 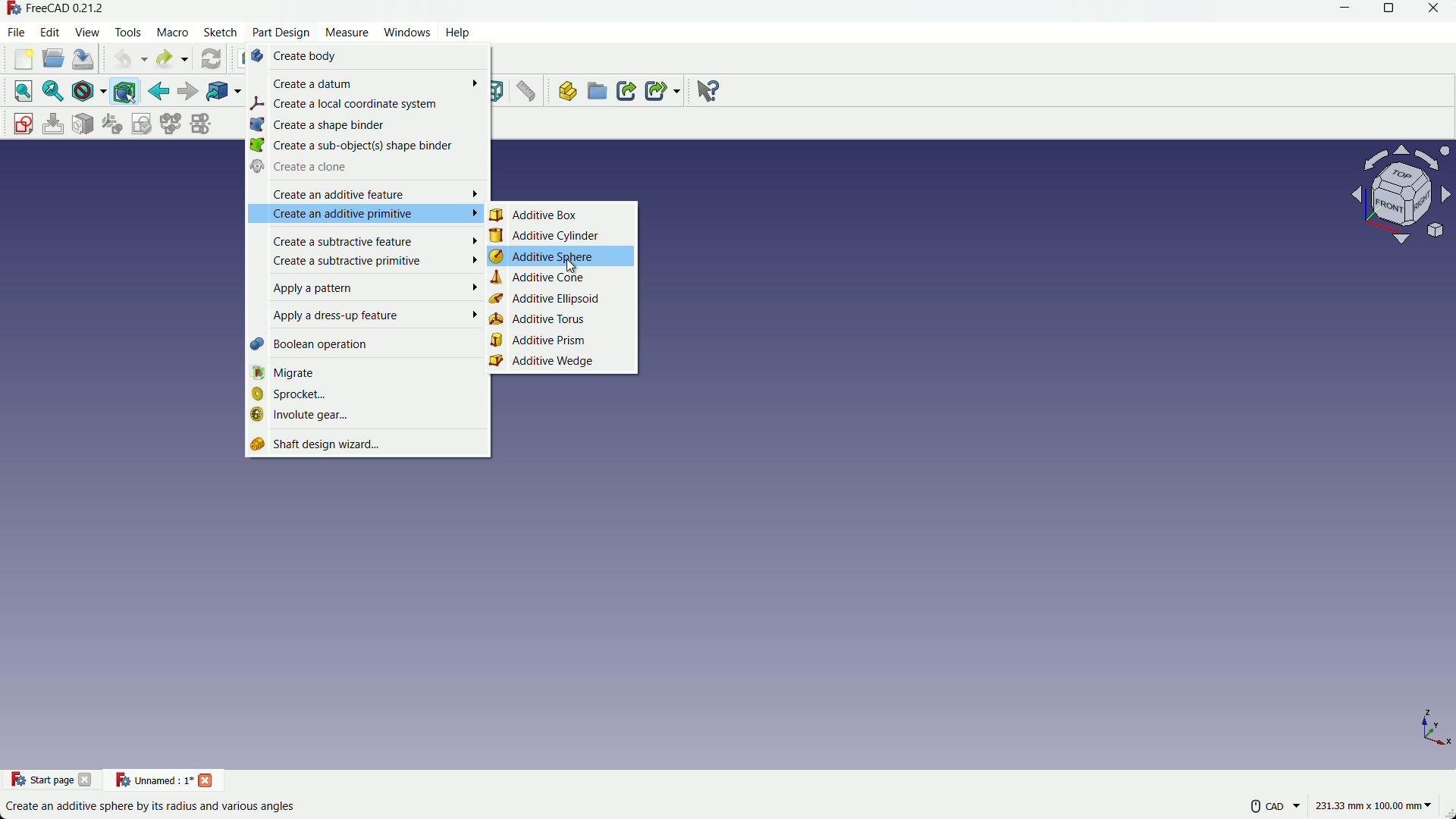 I want to click on cursor, so click(x=570, y=265).